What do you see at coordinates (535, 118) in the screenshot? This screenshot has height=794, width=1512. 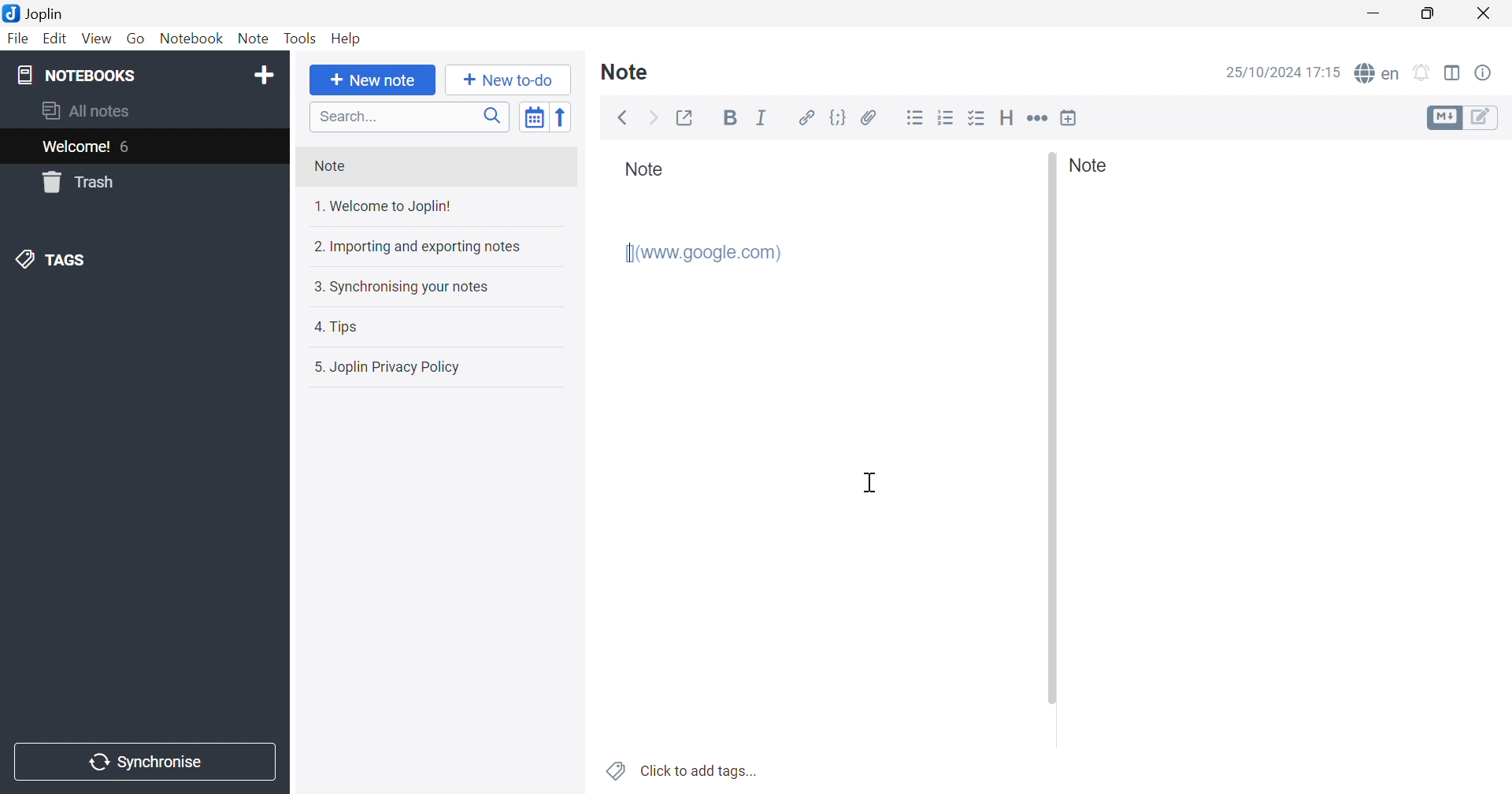 I see `Toggle sort order field: updated date -> created date` at bounding box center [535, 118].